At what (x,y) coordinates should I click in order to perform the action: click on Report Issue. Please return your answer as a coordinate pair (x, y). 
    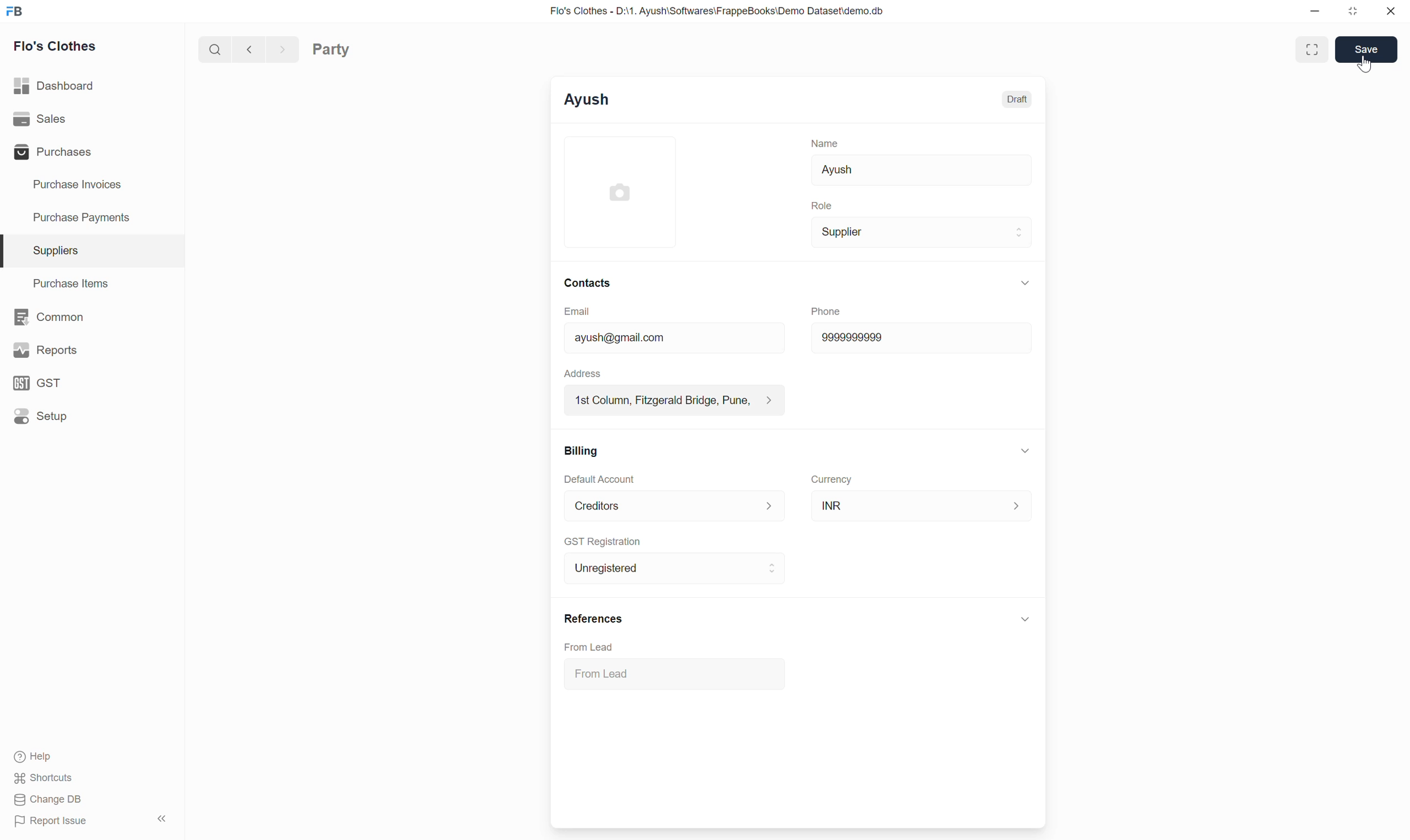
    Looking at the image, I should click on (53, 821).